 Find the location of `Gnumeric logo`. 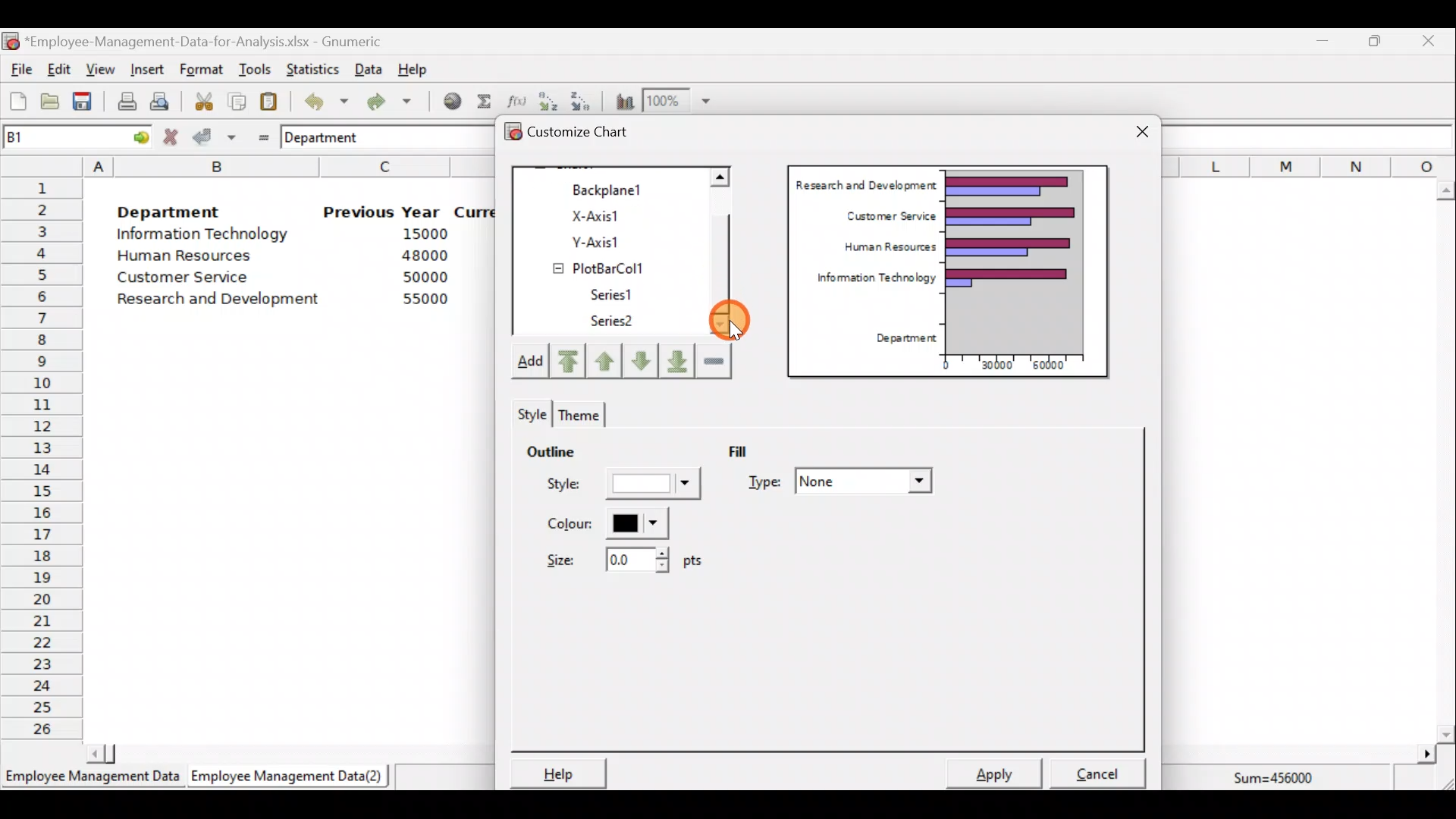

Gnumeric logo is located at coordinates (11, 42).